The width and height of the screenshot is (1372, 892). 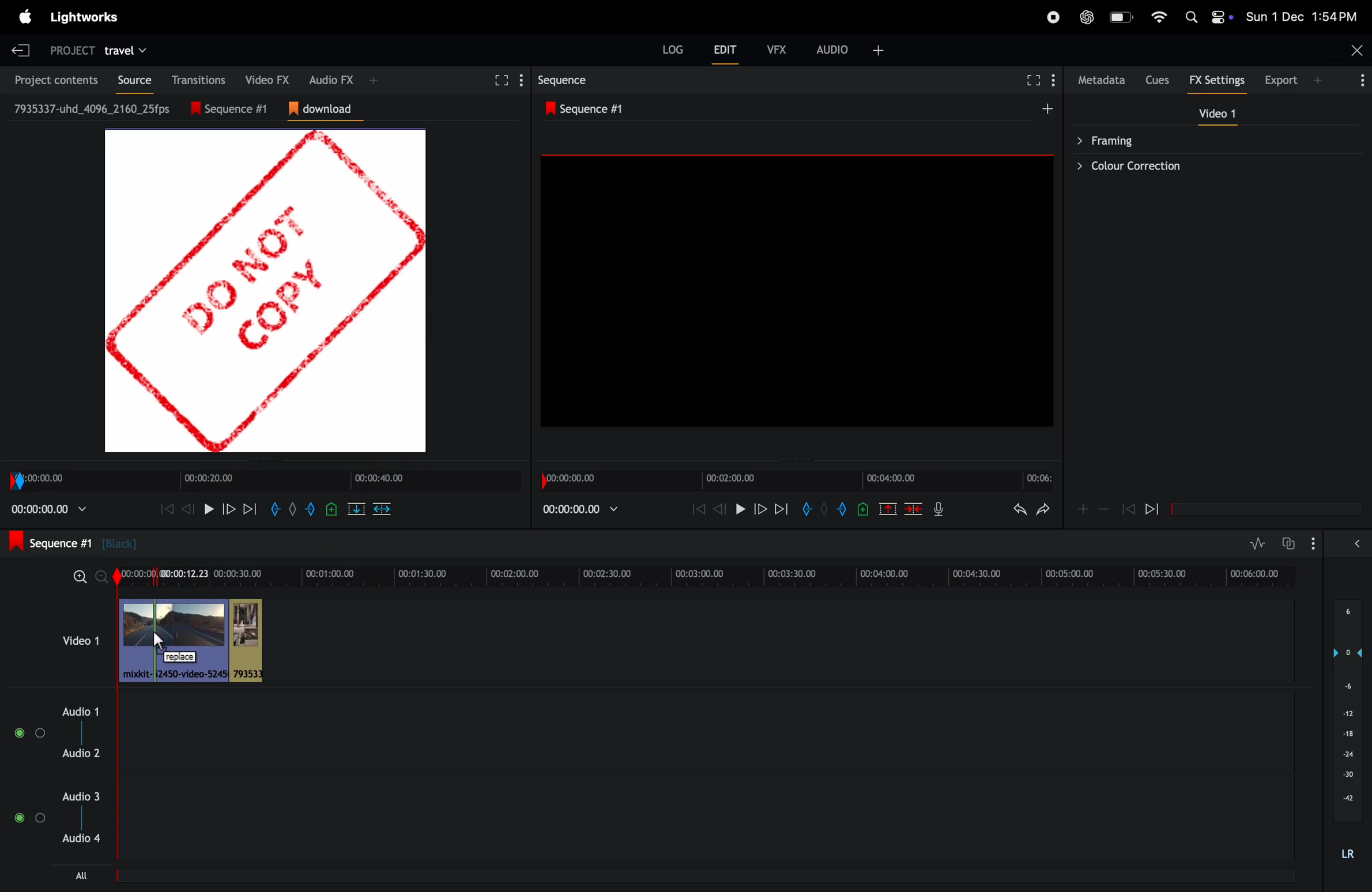 I want to click on audio 4, so click(x=79, y=838).